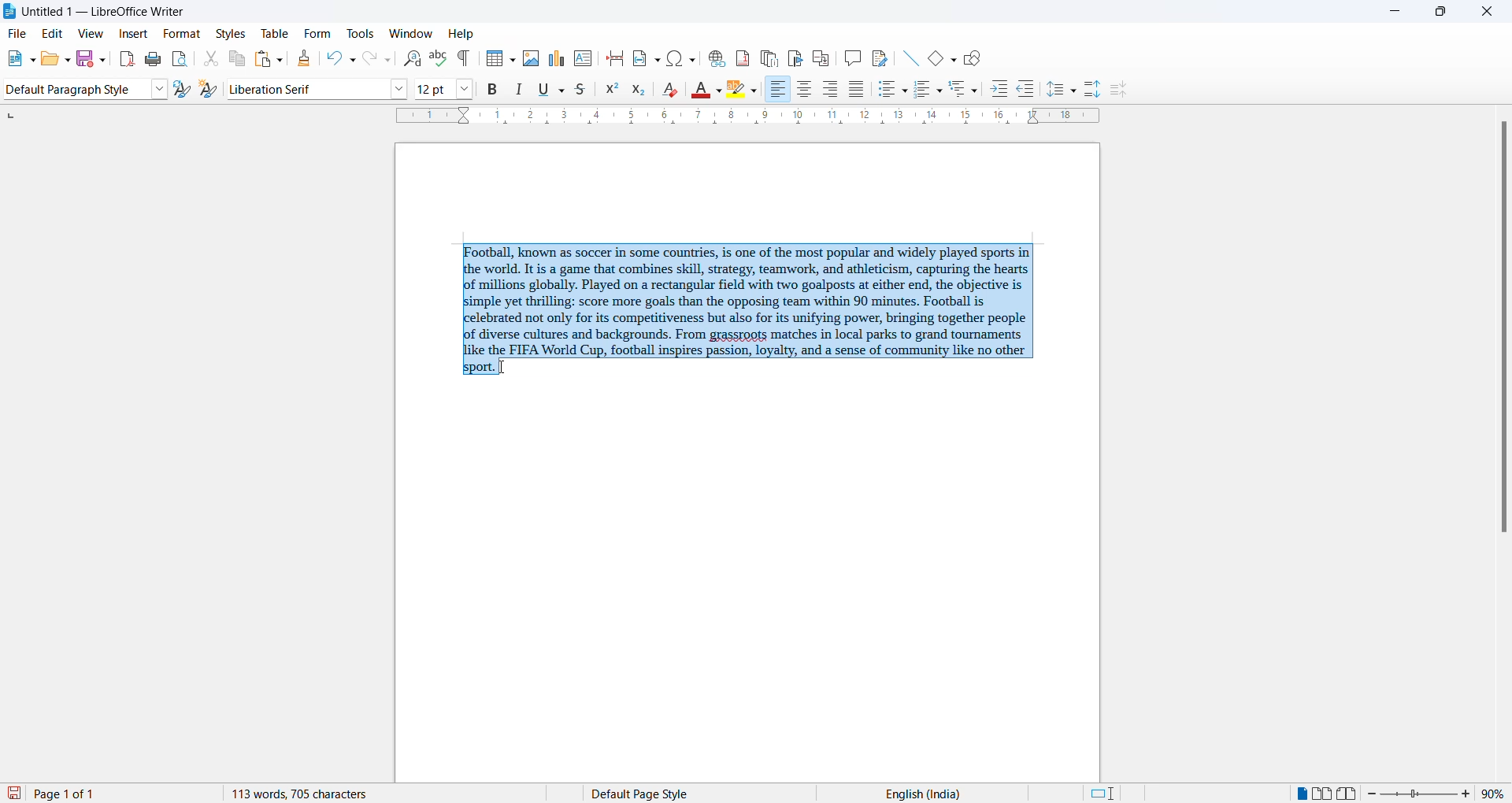  Describe the element at coordinates (701, 89) in the screenshot. I see `font color` at that location.